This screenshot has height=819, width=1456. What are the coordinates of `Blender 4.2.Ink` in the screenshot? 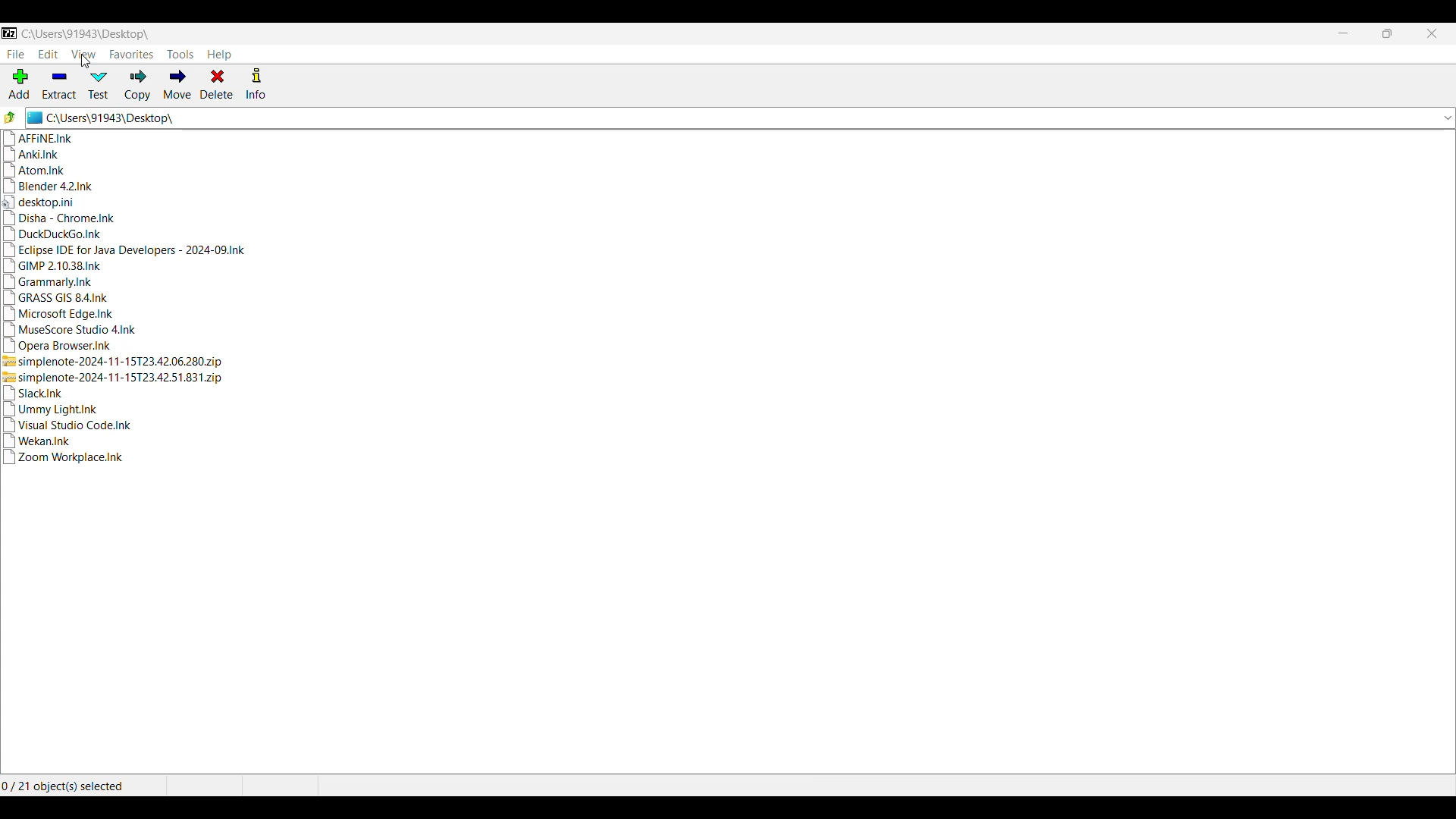 It's located at (50, 187).